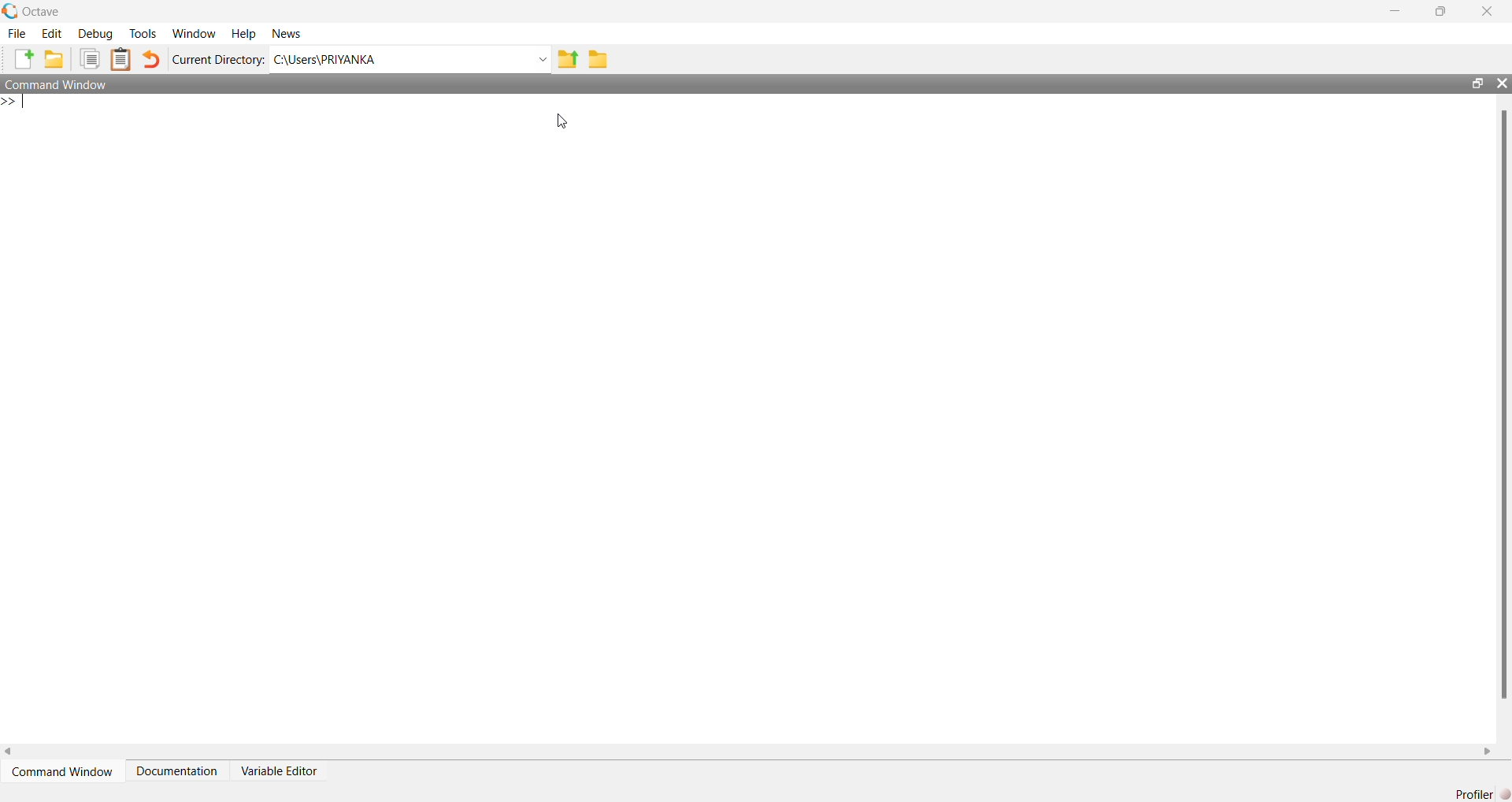 Image resolution: width=1512 pixels, height=802 pixels. I want to click on command window, so click(72, 85).